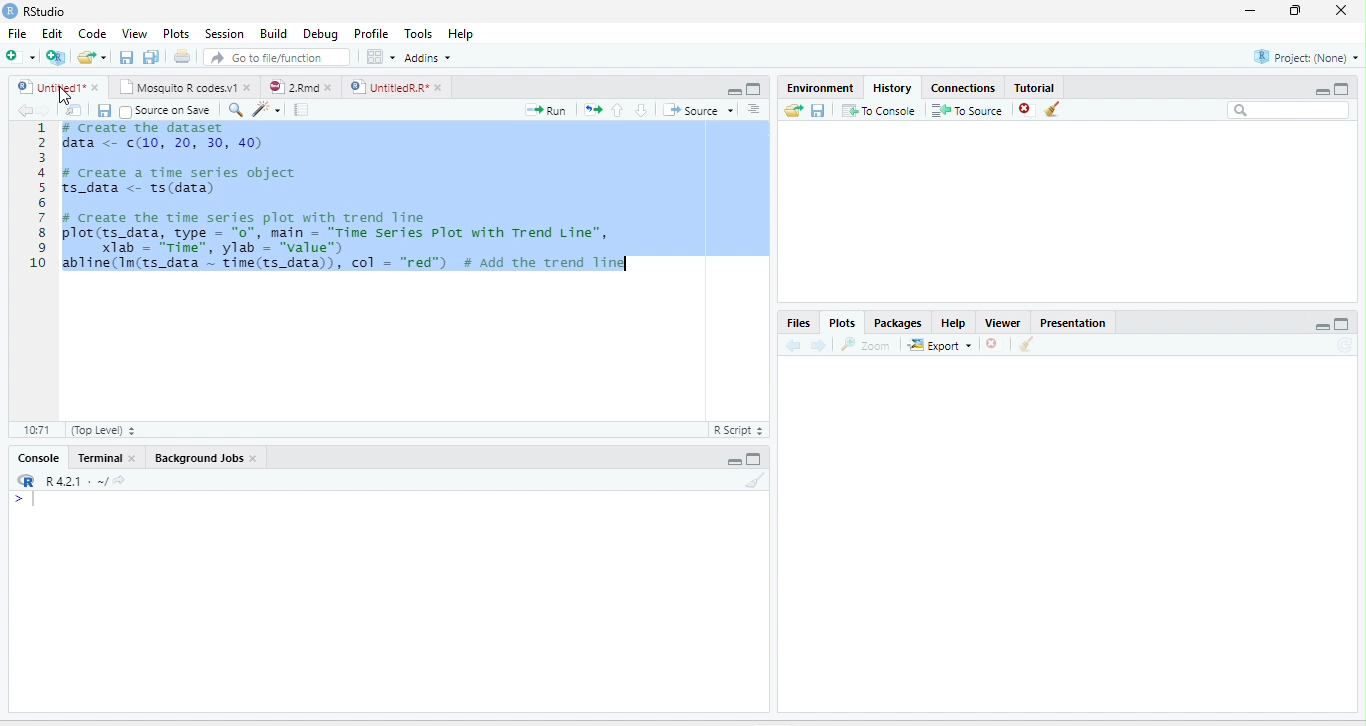 The width and height of the screenshot is (1366, 726). What do you see at coordinates (44, 110) in the screenshot?
I see `Go forward to next source location` at bounding box center [44, 110].